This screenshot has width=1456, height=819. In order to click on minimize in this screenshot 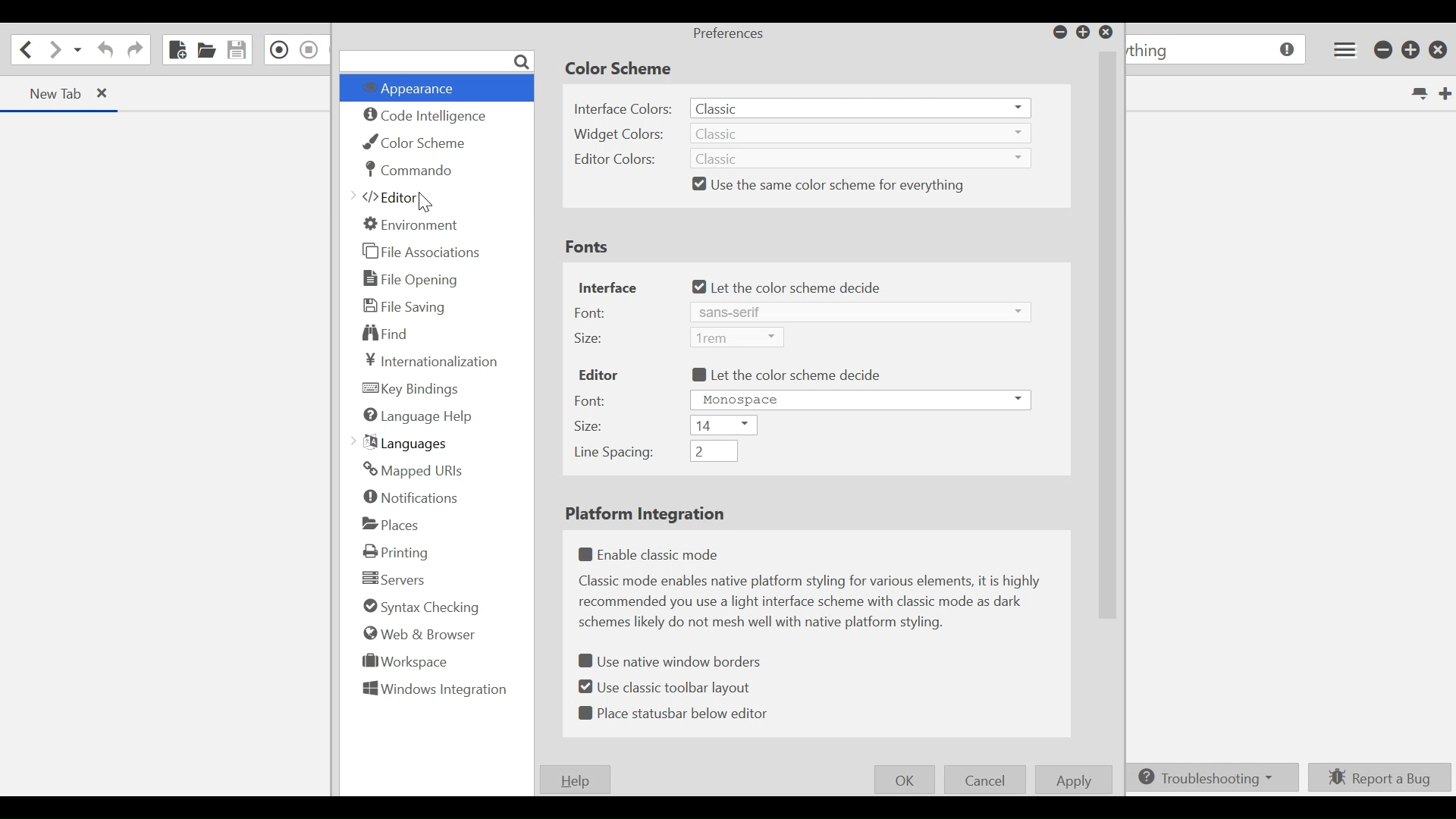, I will do `click(1384, 50)`.